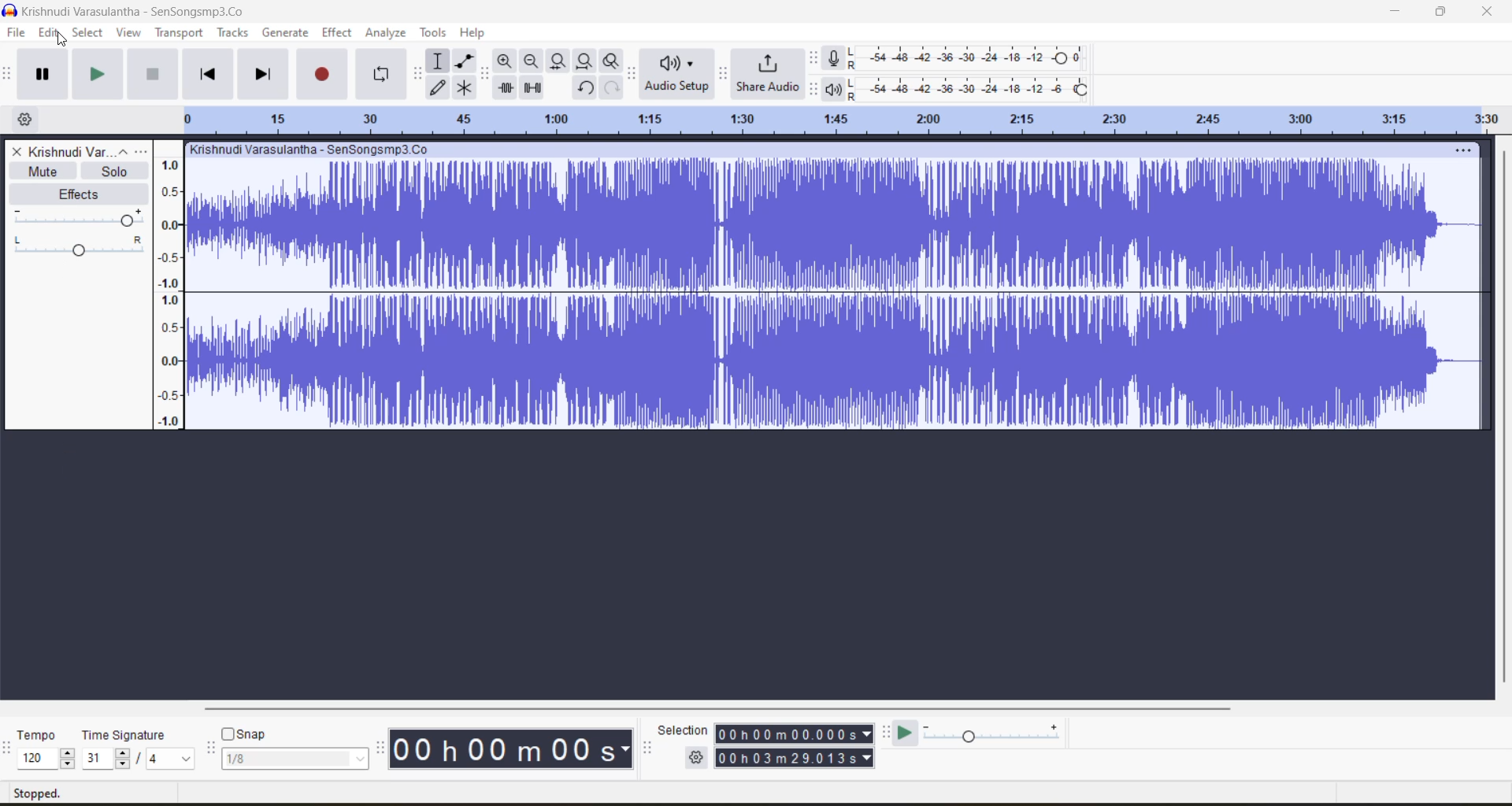 The height and width of the screenshot is (806, 1512). Describe the element at coordinates (835, 88) in the screenshot. I see `playback meter` at that location.